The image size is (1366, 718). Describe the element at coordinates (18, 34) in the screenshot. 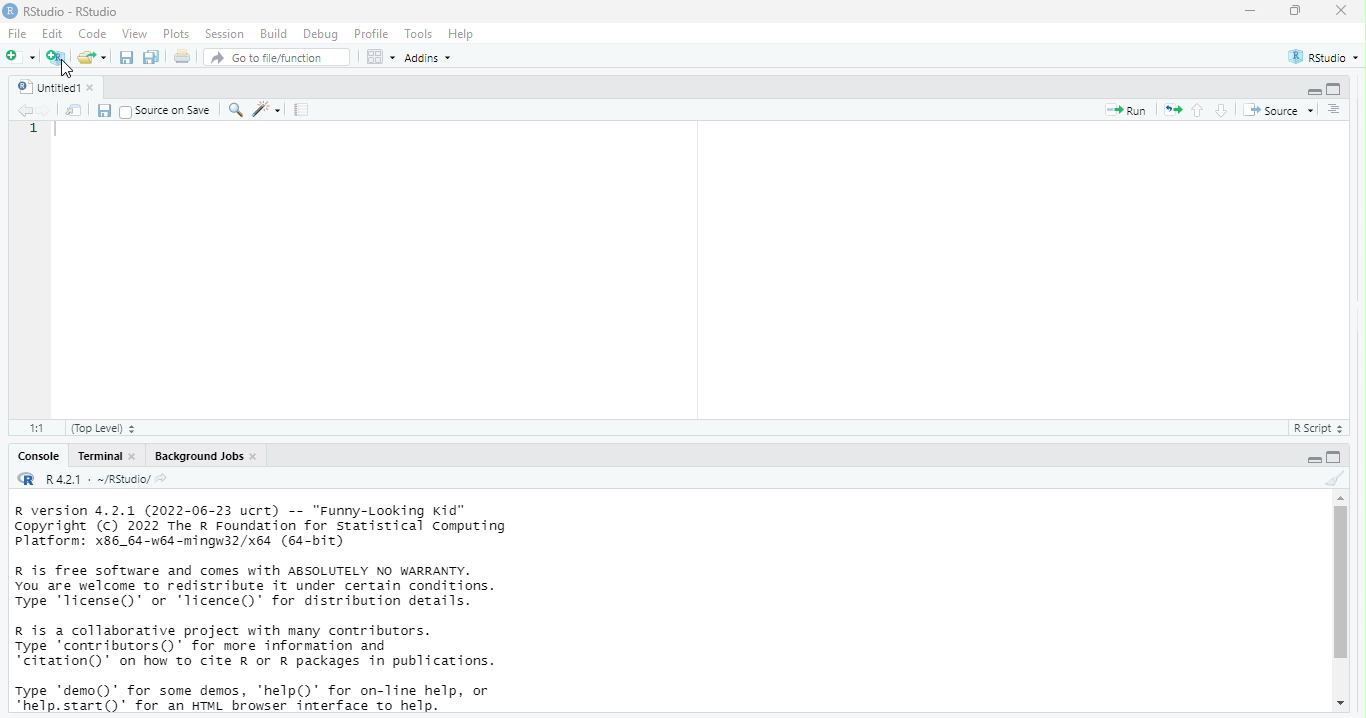

I see `File` at that location.